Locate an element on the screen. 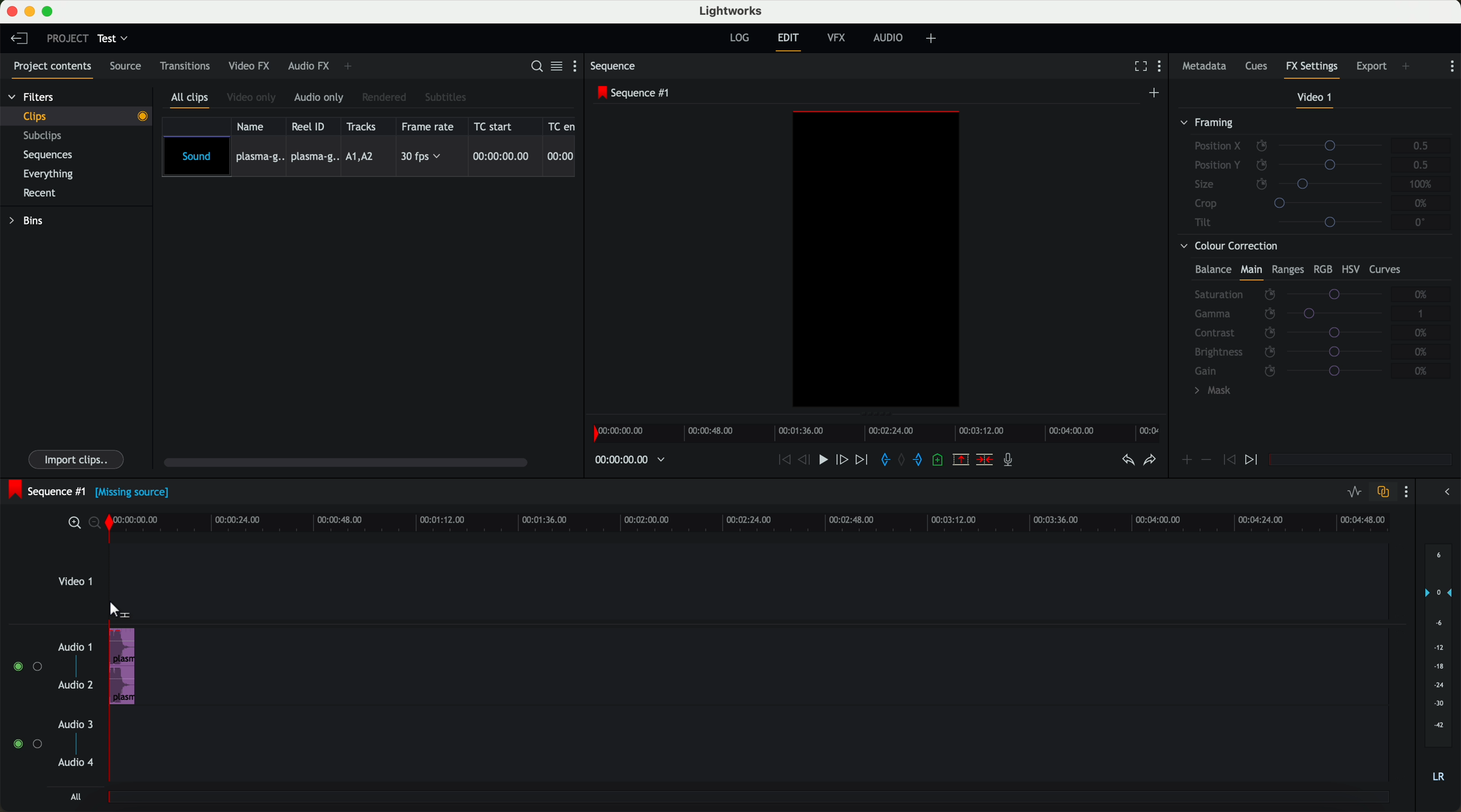 The width and height of the screenshot is (1461, 812). add keyframe at the current position is located at coordinates (1187, 460).